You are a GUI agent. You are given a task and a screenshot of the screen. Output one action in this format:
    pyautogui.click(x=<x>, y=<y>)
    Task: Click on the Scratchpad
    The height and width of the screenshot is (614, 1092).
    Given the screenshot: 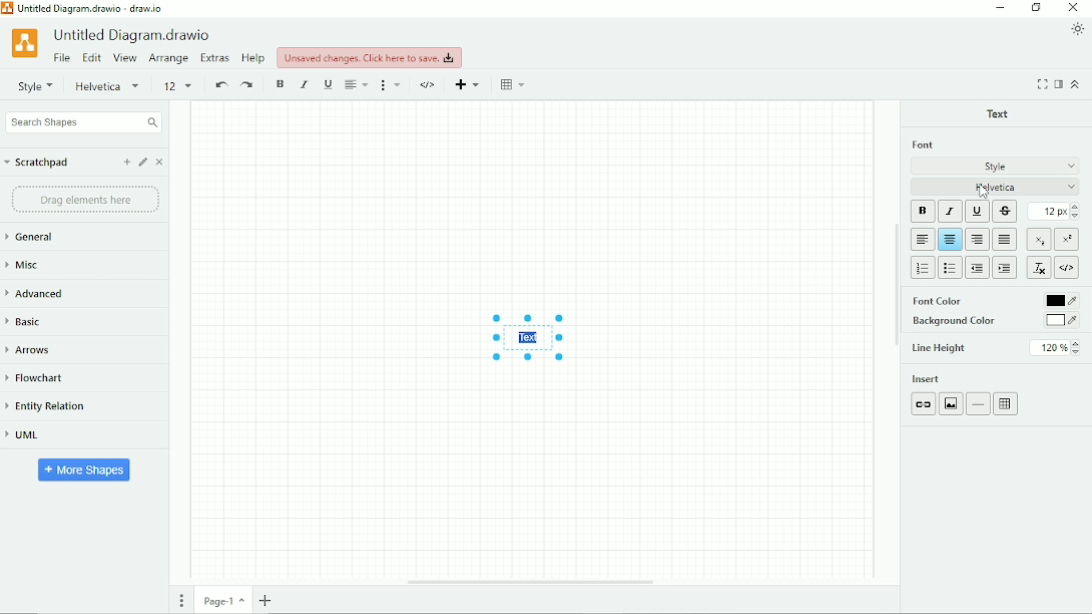 What is the action you would take?
    pyautogui.click(x=37, y=163)
    